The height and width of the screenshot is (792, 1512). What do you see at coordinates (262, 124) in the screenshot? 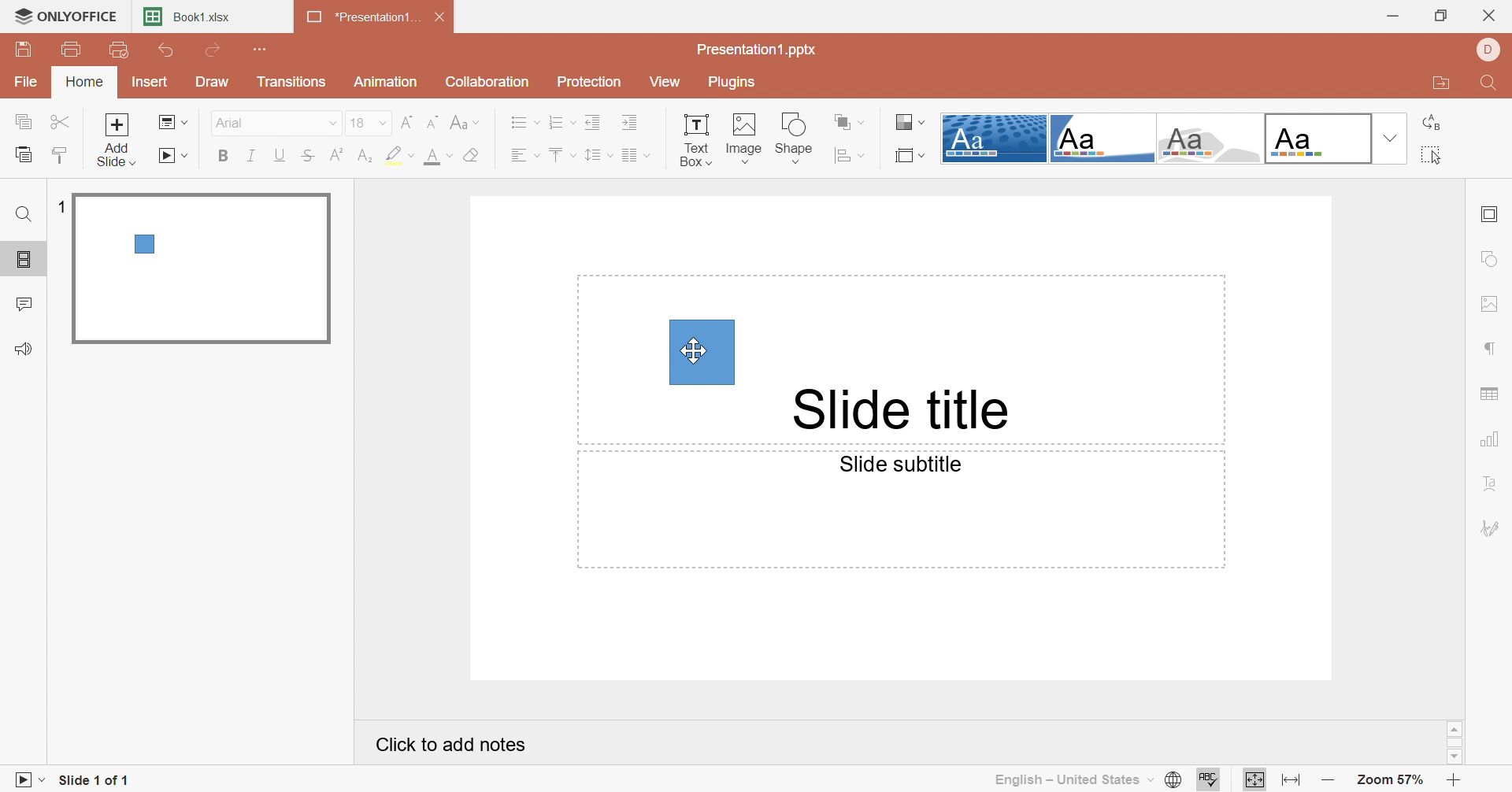
I see `Font` at bounding box center [262, 124].